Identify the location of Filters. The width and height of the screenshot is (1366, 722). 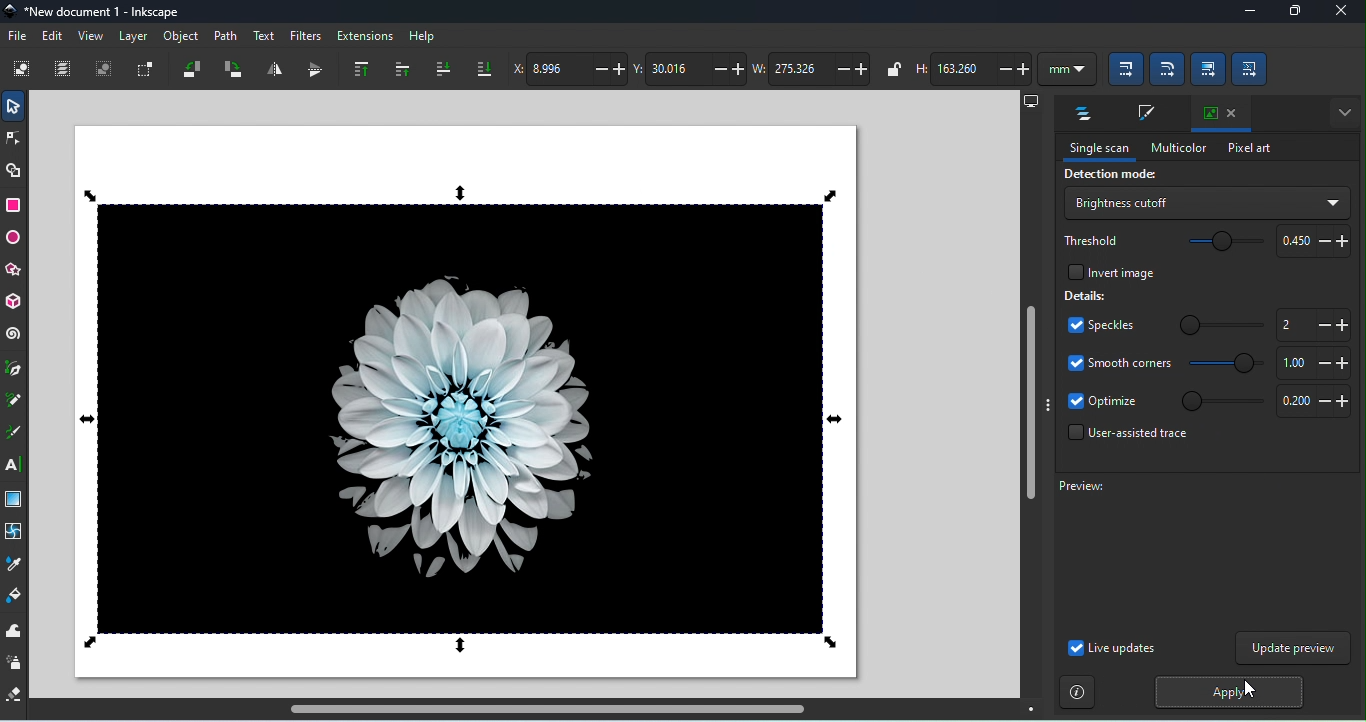
(306, 34).